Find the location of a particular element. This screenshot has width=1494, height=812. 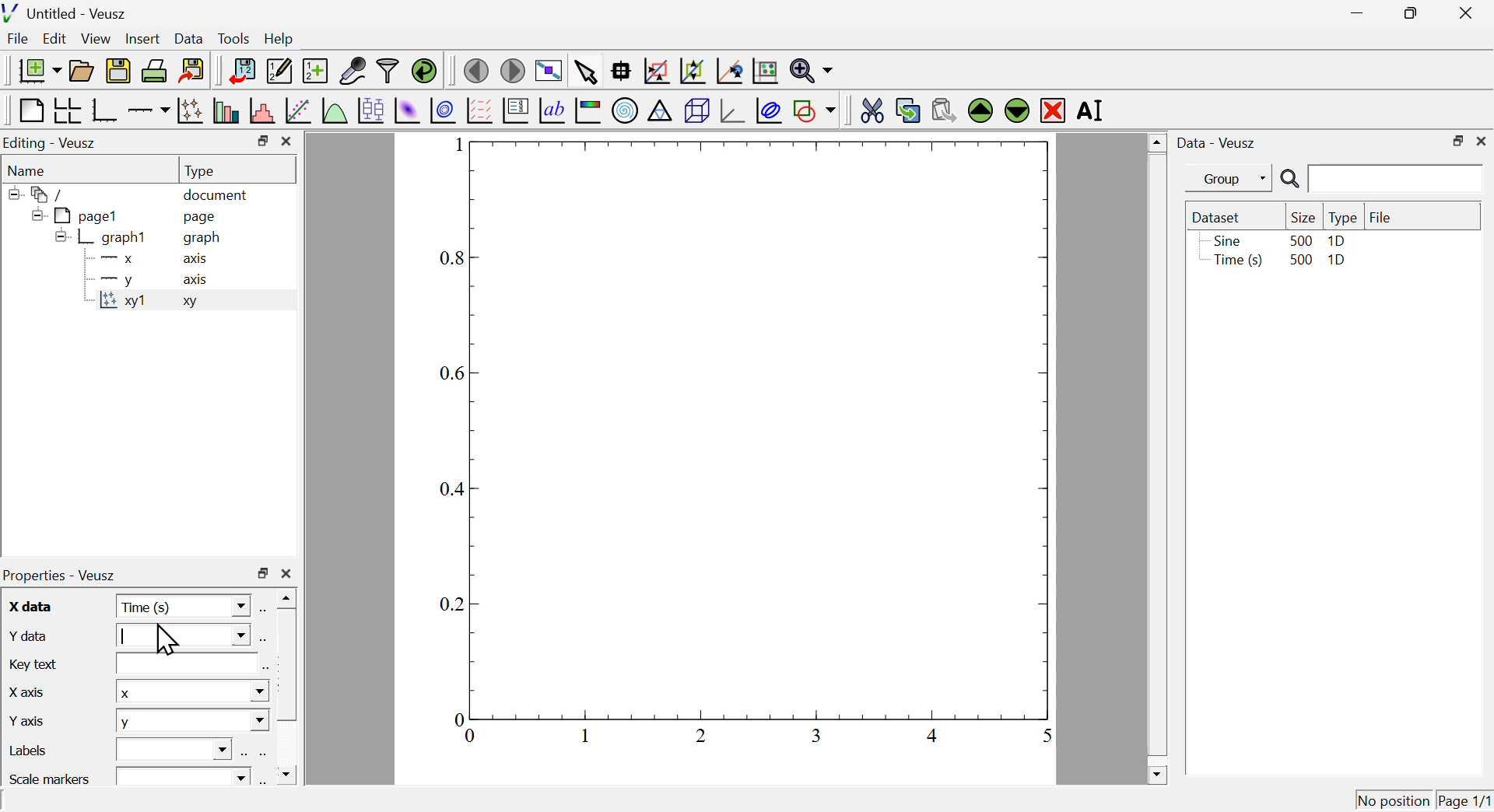

close is located at coordinates (1482, 141).